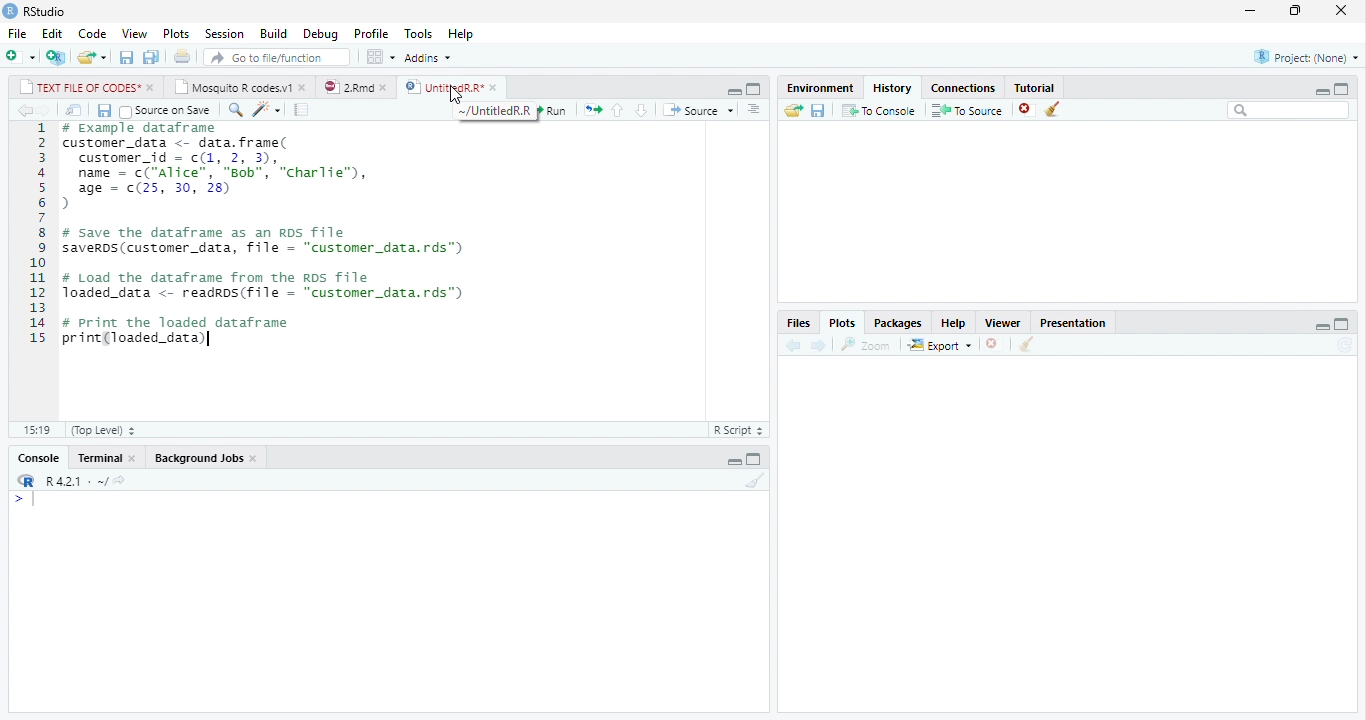 This screenshot has width=1366, height=720. I want to click on options, so click(756, 110).